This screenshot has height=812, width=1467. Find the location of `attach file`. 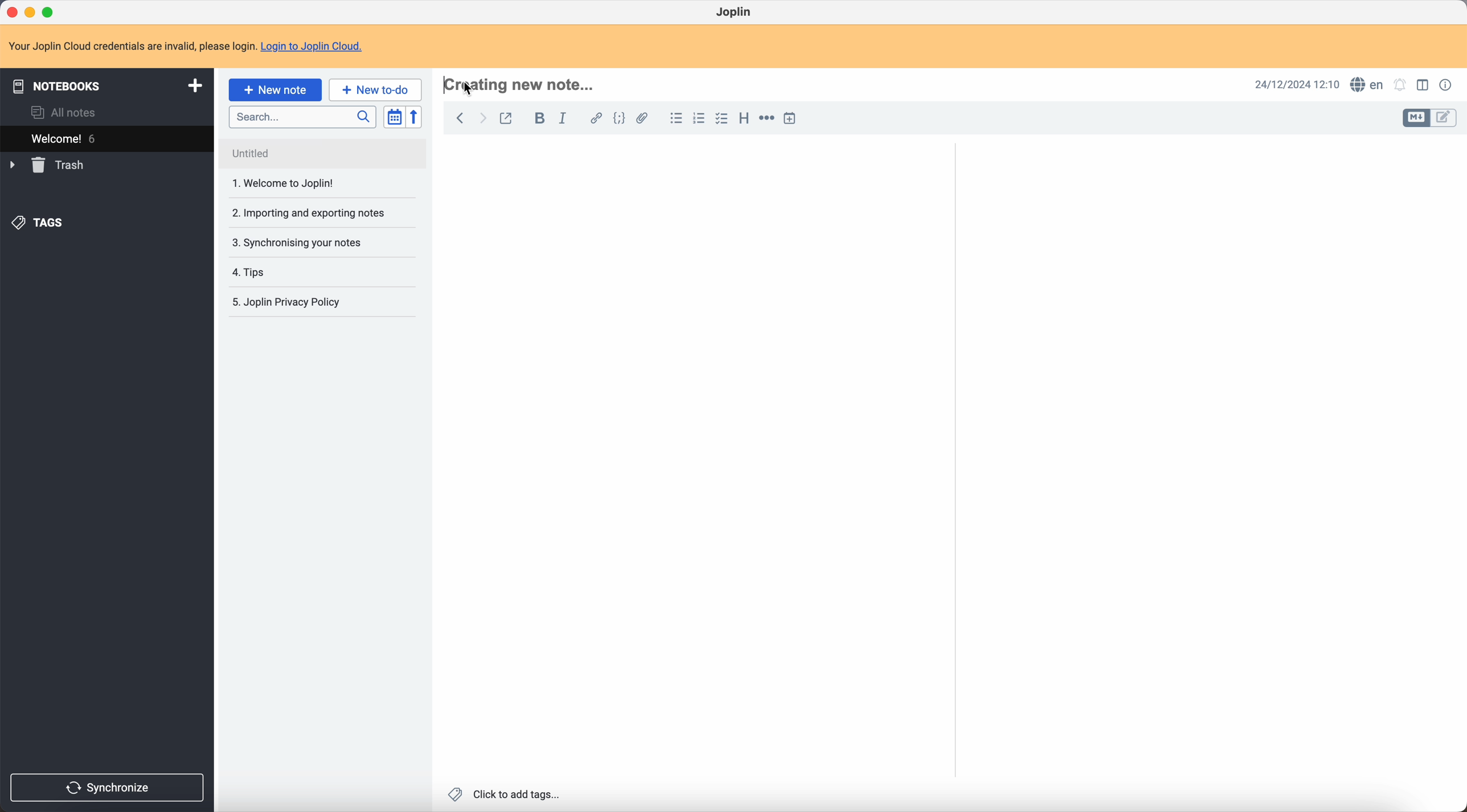

attach file is located at coordinates (645, 118).